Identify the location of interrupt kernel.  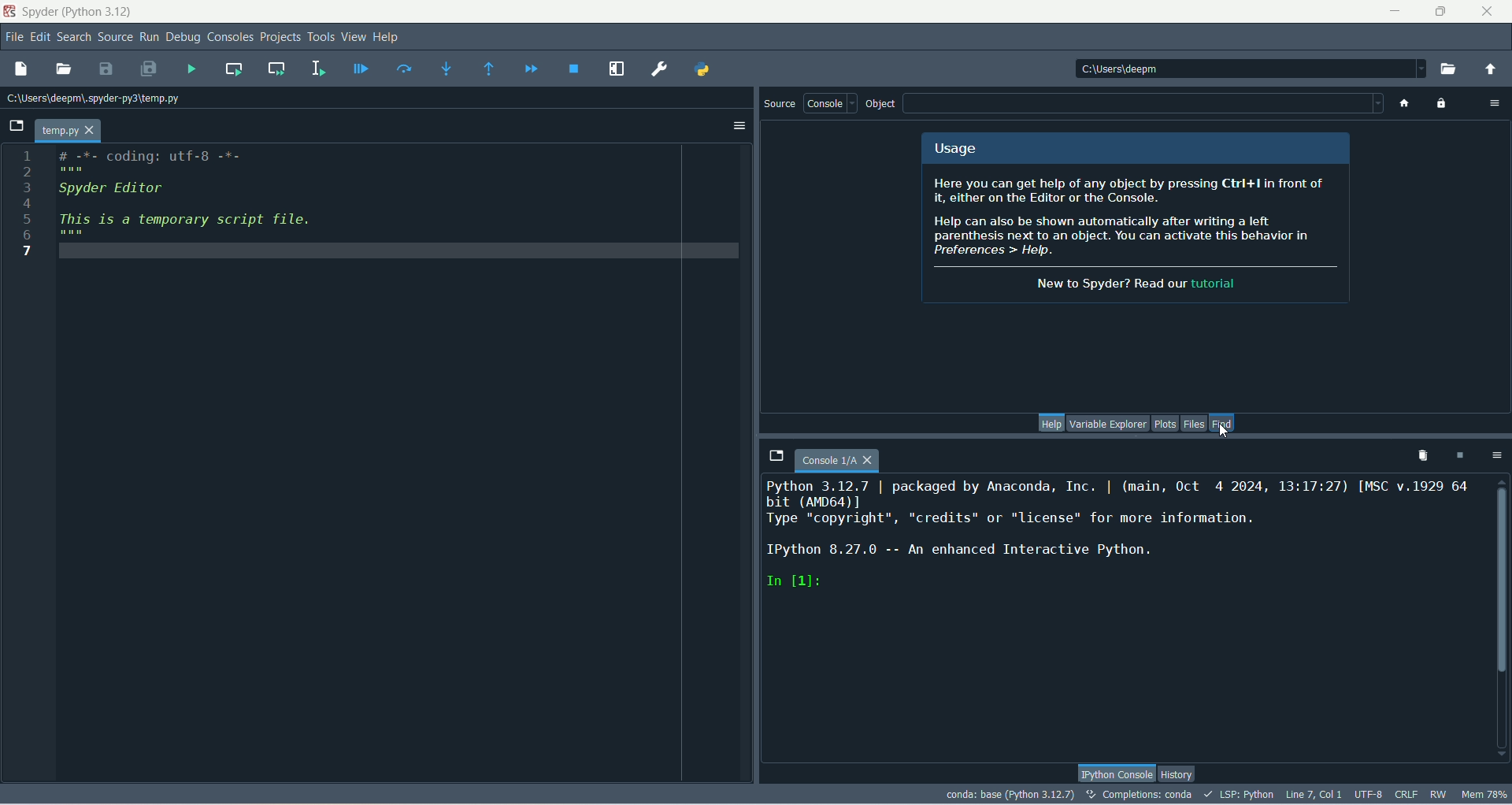
(1458, 458).